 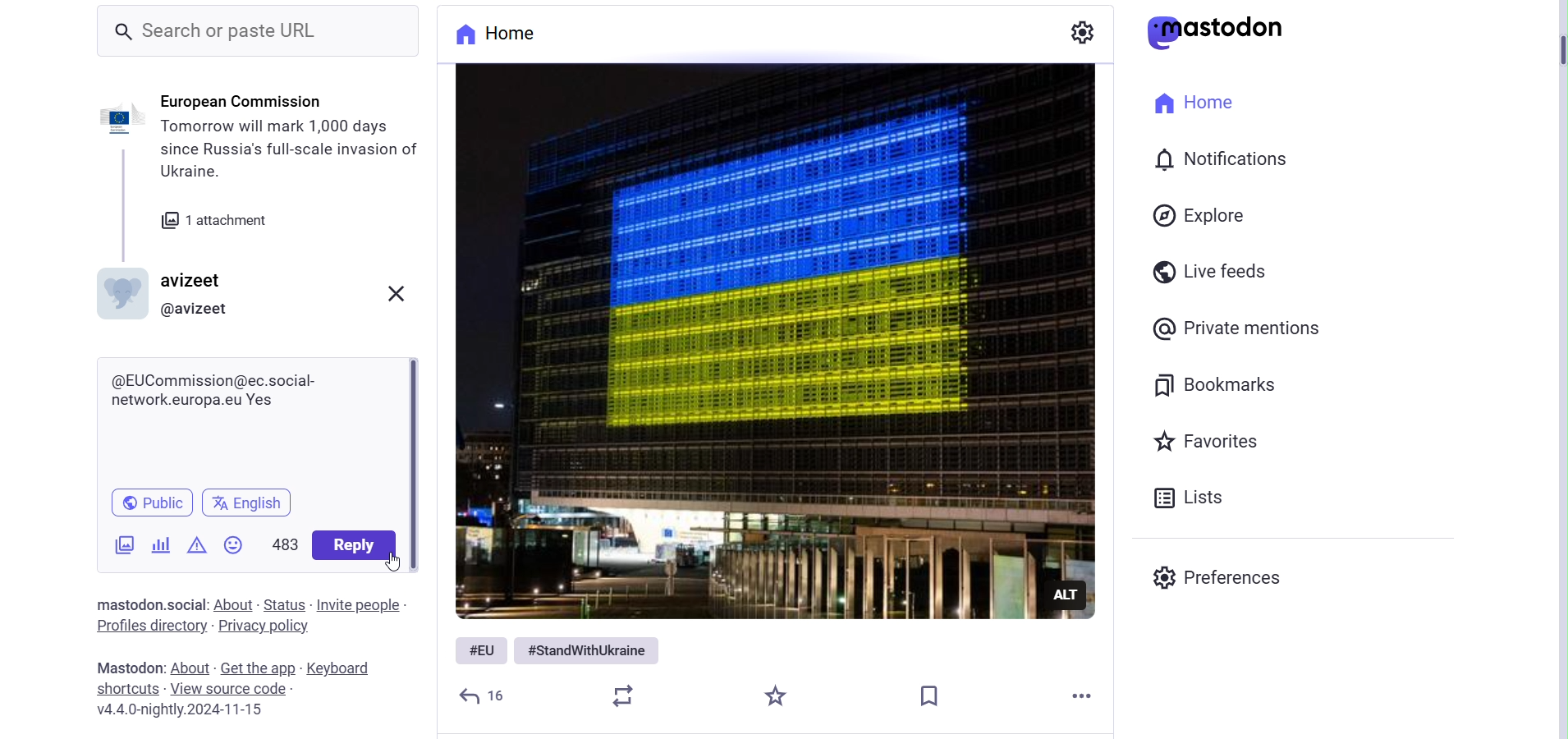 I want to click on Settings, so click(x=1084, y=32).